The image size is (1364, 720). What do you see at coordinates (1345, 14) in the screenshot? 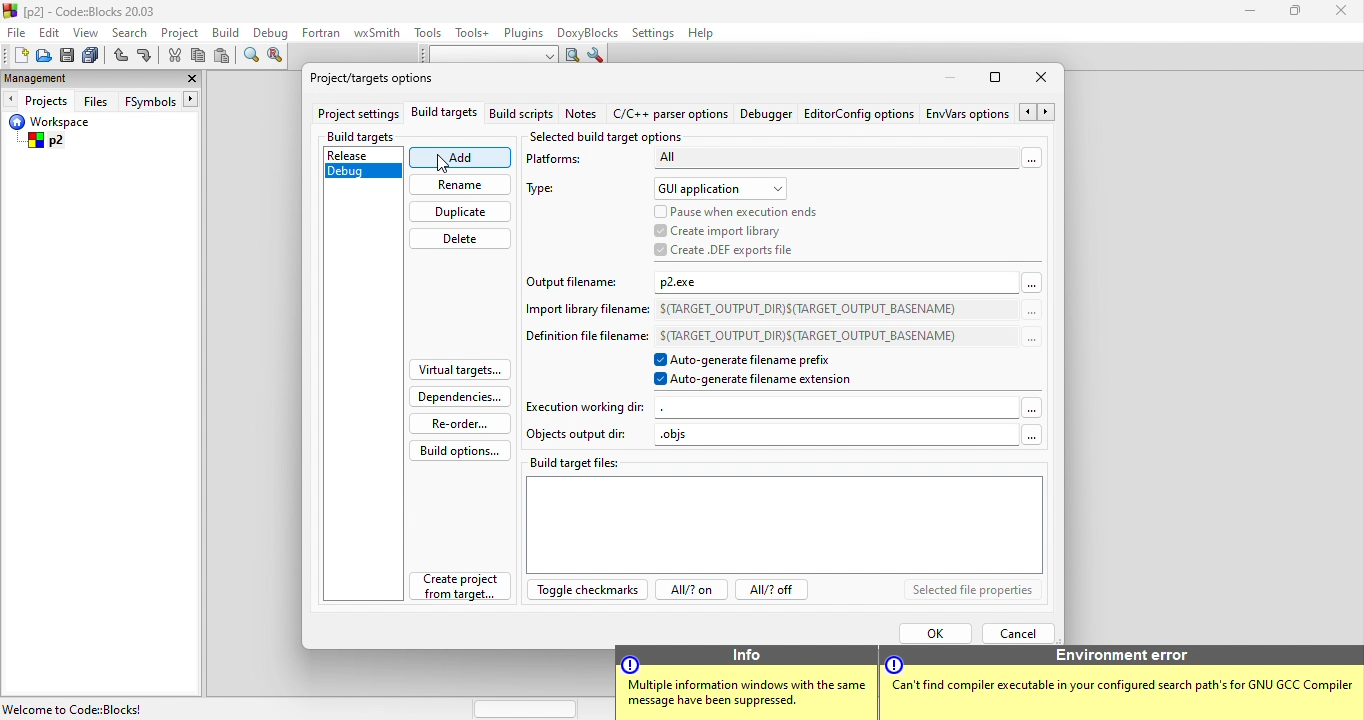
I see `close` at bounding box center [1345, 14].